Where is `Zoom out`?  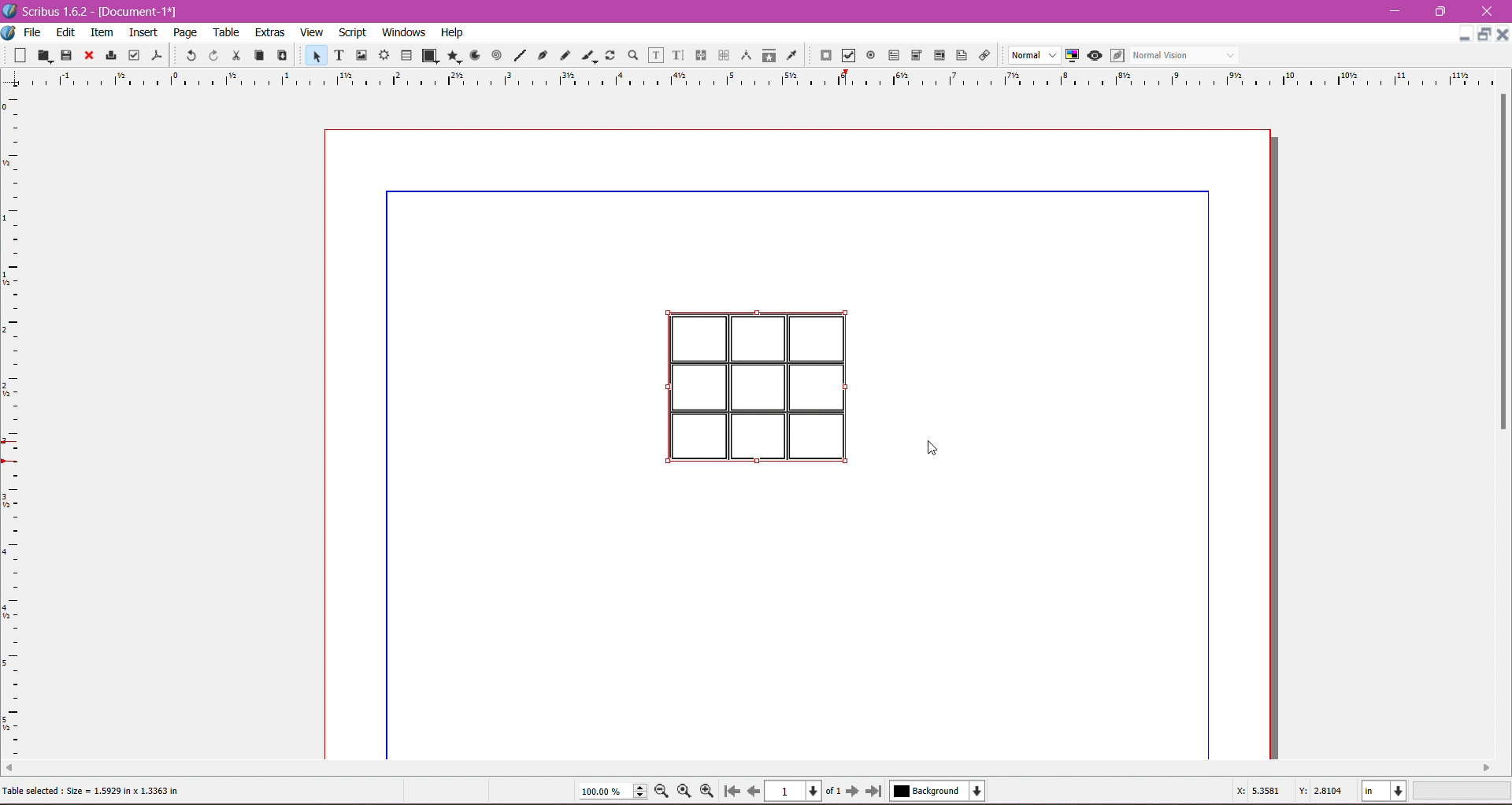 Zoom out is located at coordinates (665, 790).